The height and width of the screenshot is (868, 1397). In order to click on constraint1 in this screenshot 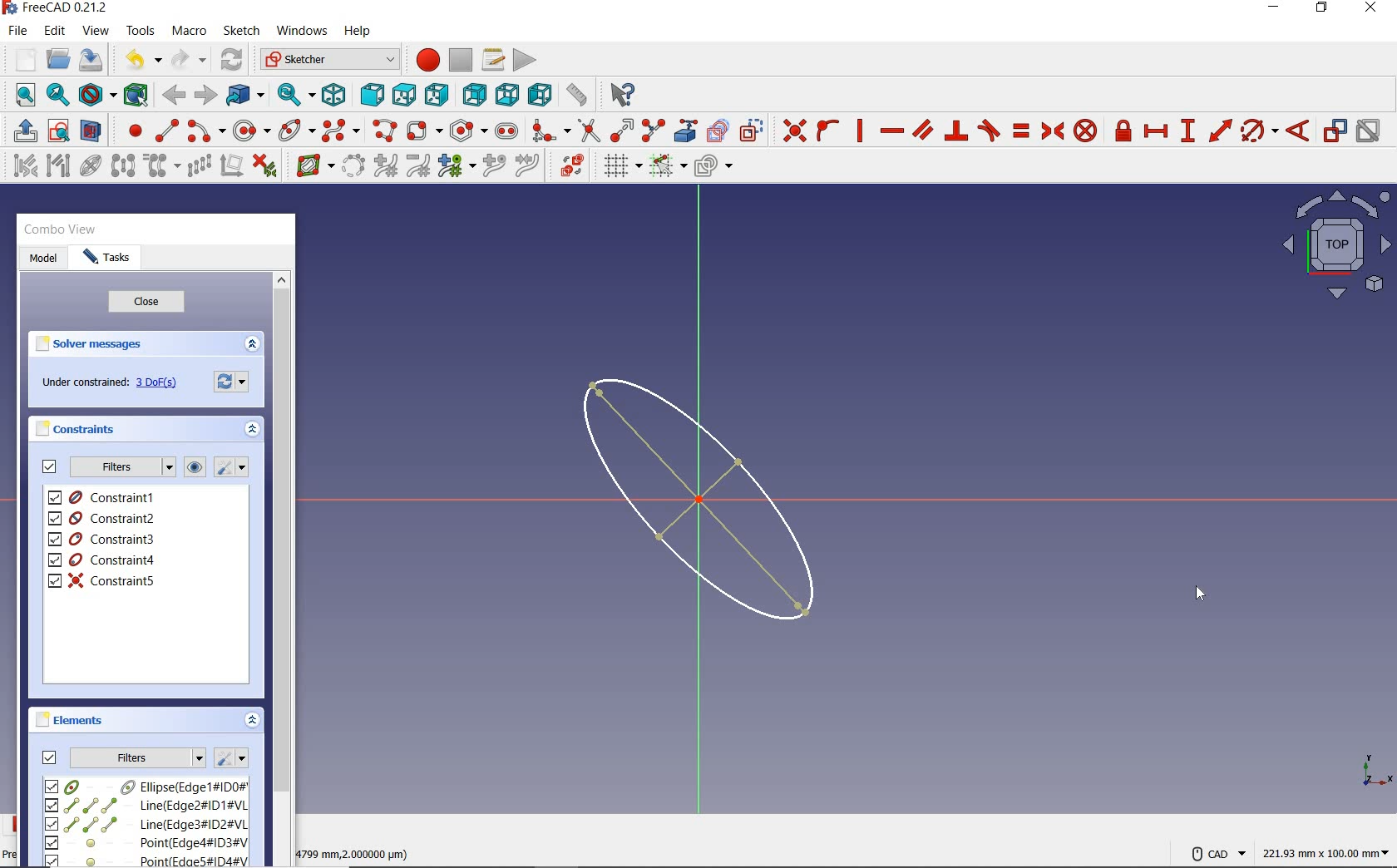, I will do `click(107, 497)`.